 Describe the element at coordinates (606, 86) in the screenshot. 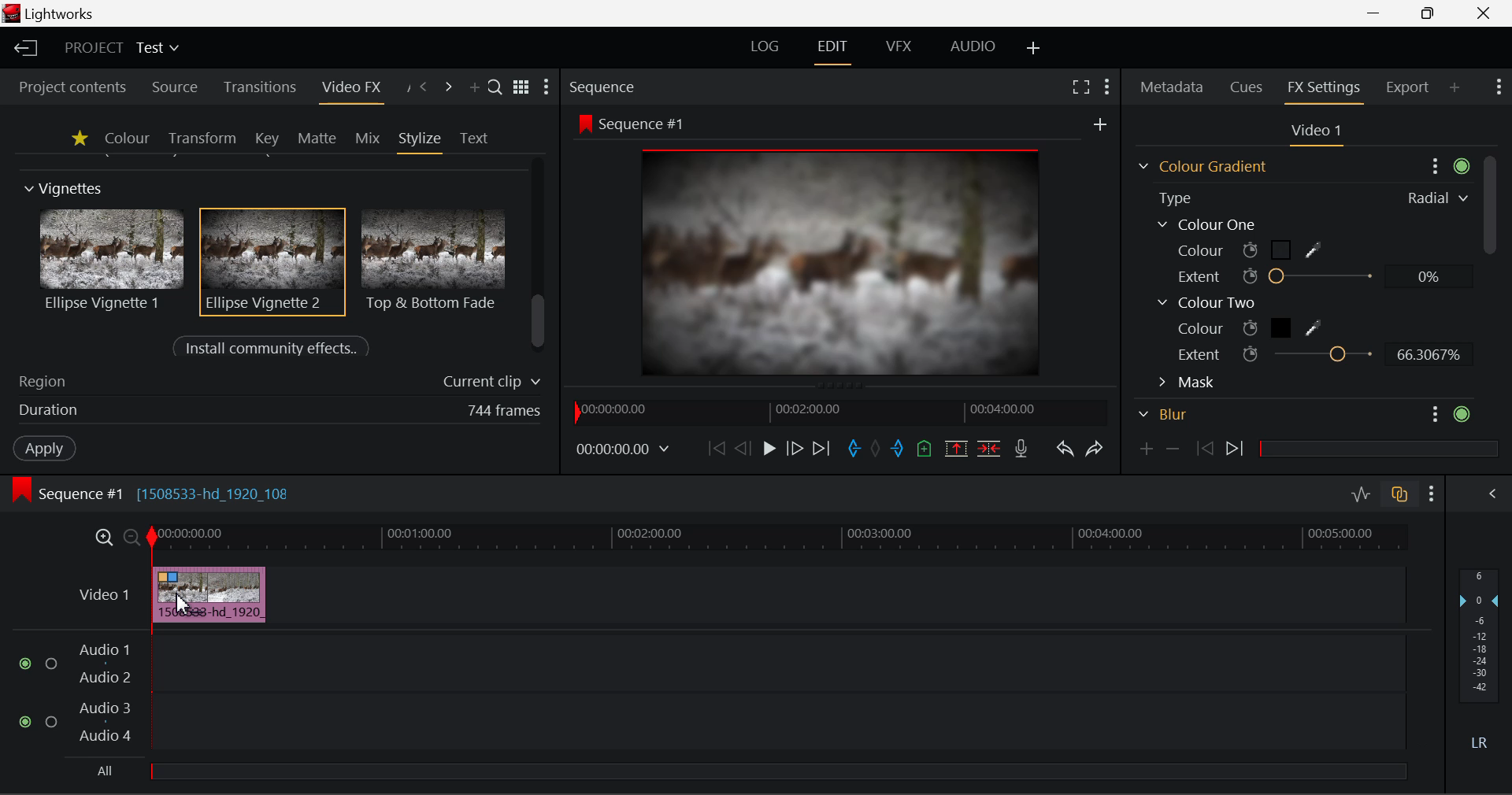

I see `Sequence Preview Section` at that location.